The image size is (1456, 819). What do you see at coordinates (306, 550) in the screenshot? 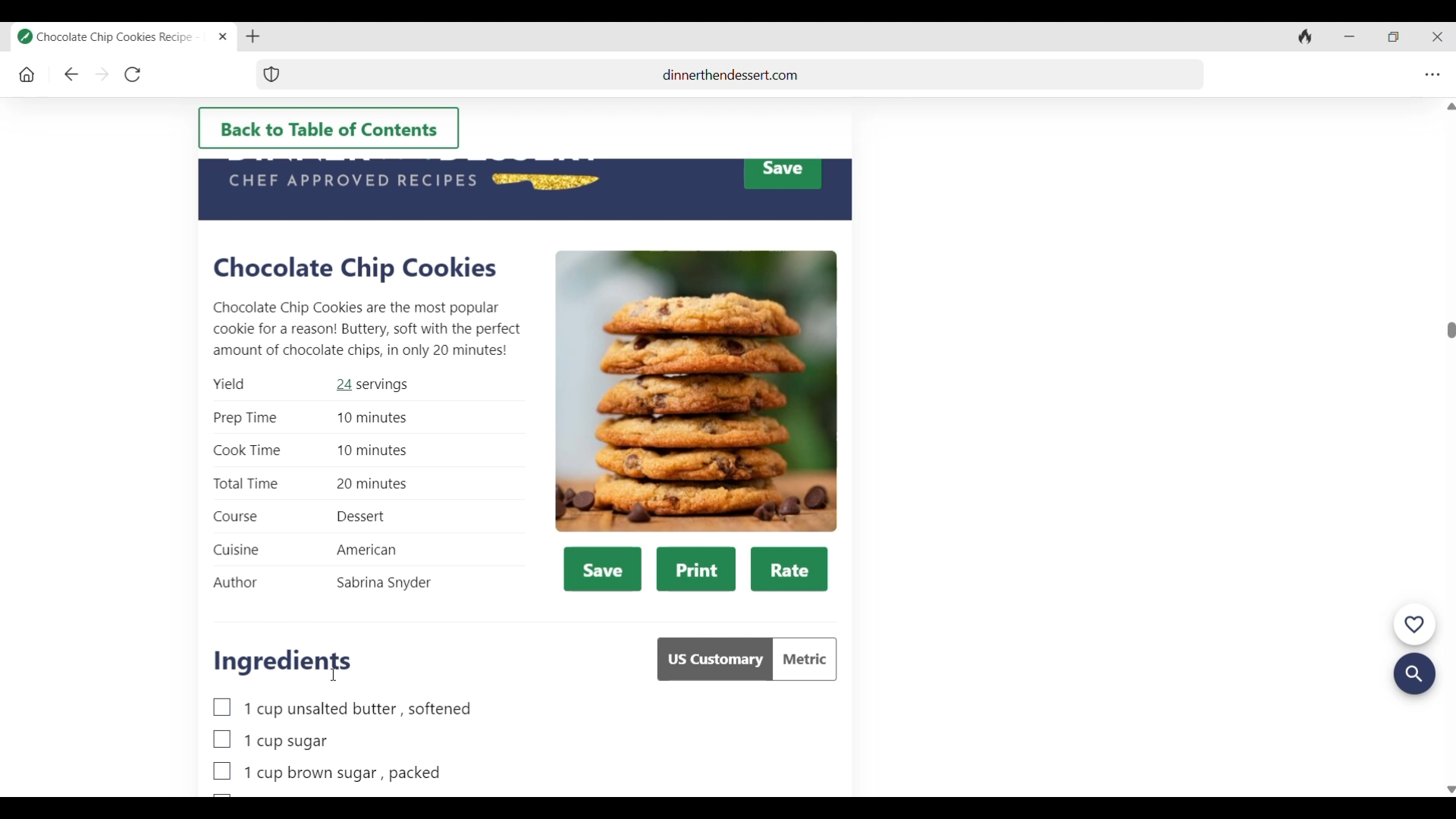
I see `Cuisine American` at bounding box center [306, 550].